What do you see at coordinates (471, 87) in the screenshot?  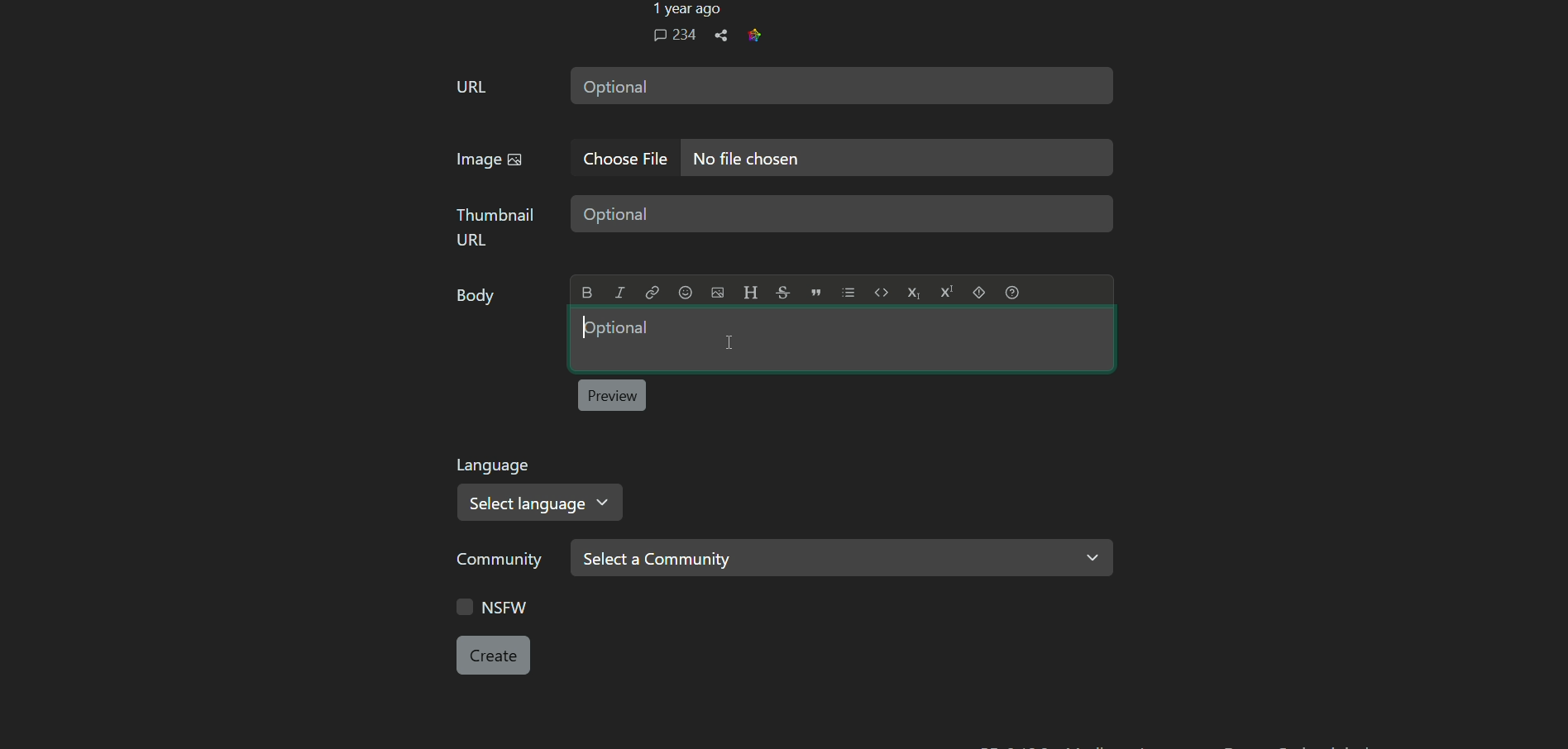 I see `URL` at bounding box center [471, 87].